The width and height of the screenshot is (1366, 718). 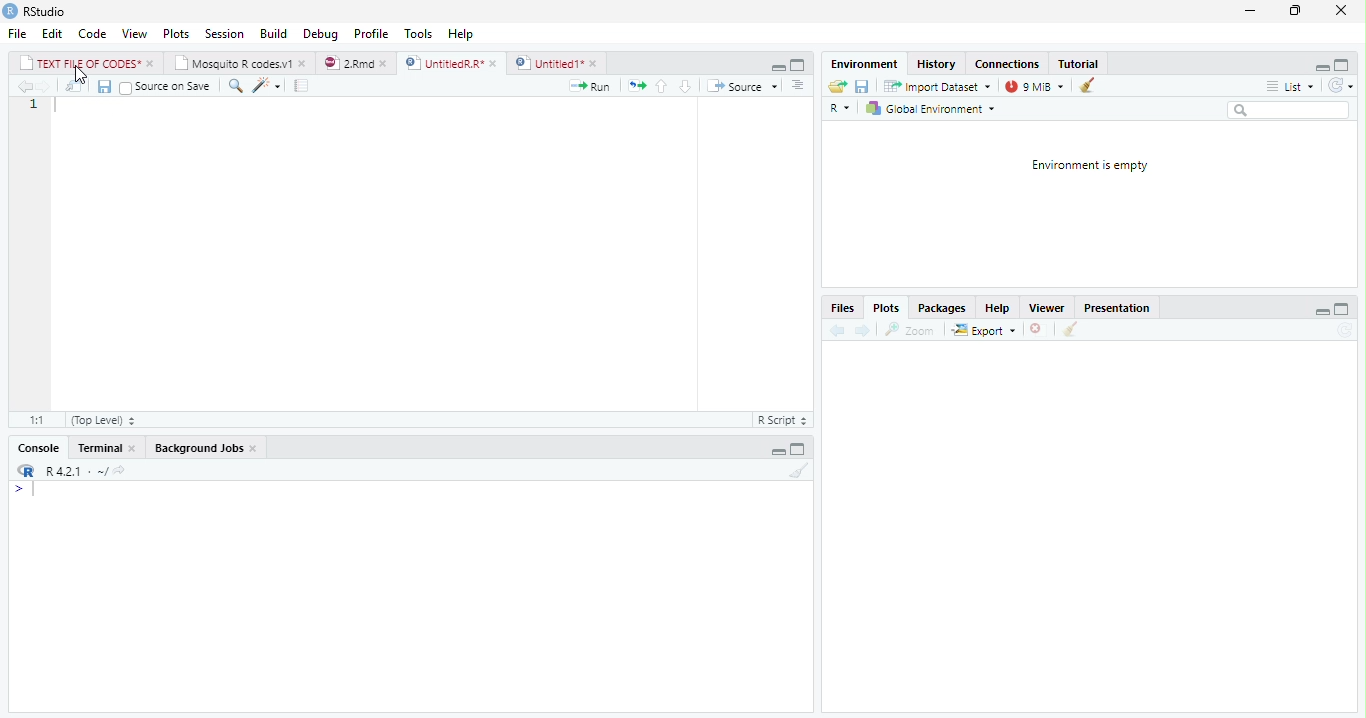 What do you see at coordinates (244, 64) in the screenshot?
I see `Mosautto & cosesy` at bounding box center [244, 64].